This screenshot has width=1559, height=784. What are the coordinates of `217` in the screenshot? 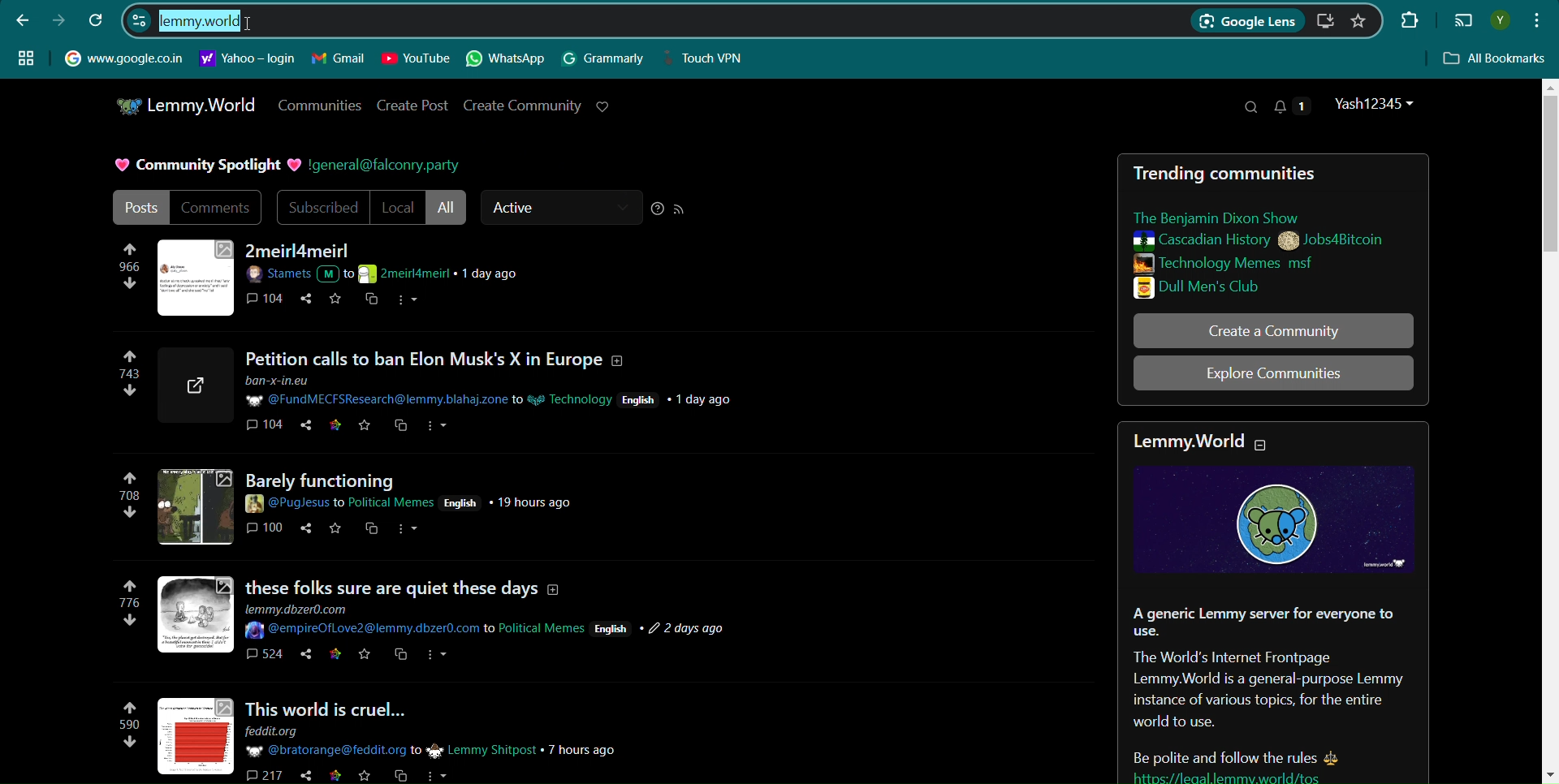 It's located at (261, 774).